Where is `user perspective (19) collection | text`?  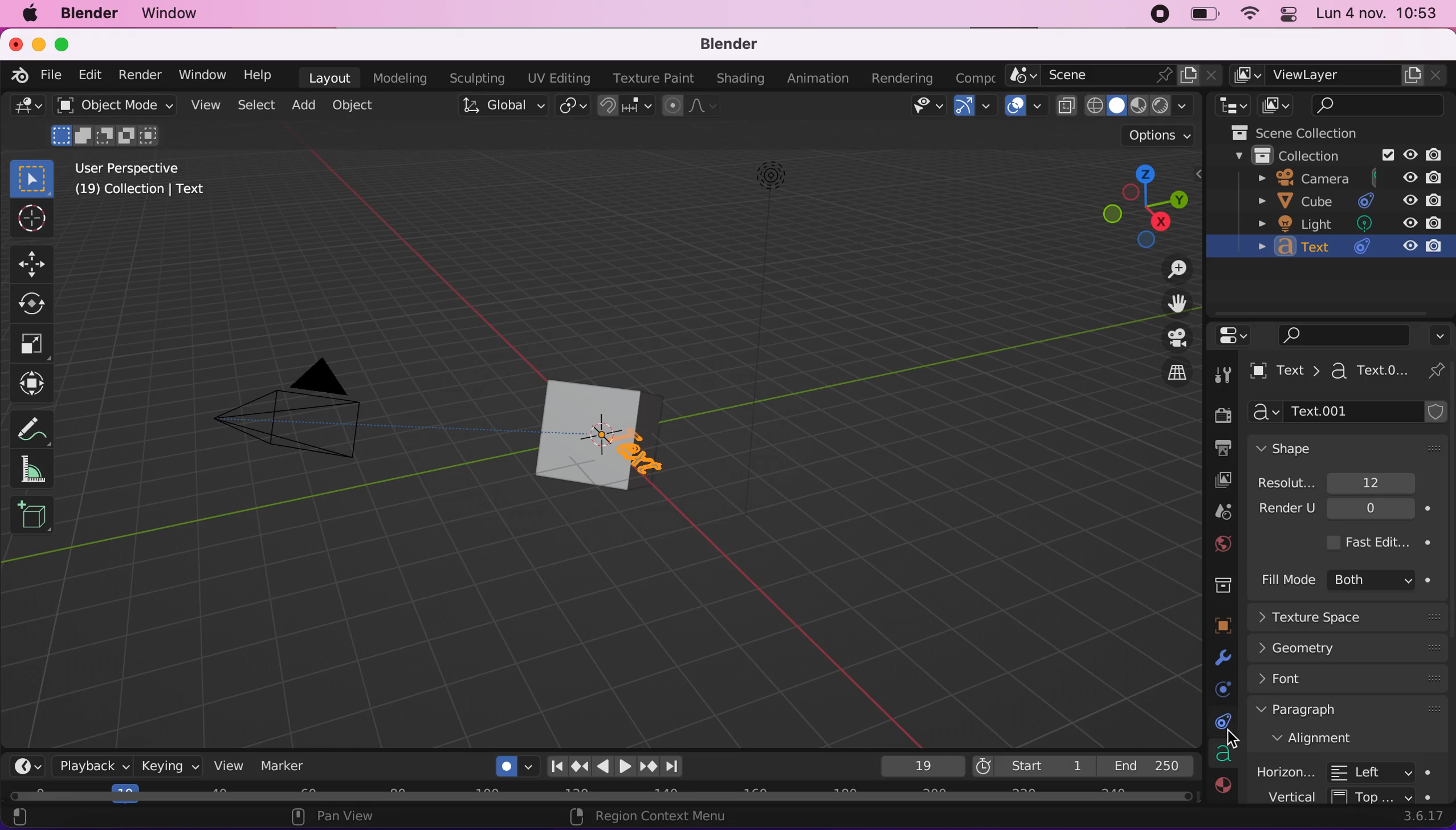 user perspective (19) collection | text is located at coordinates (140, 184).